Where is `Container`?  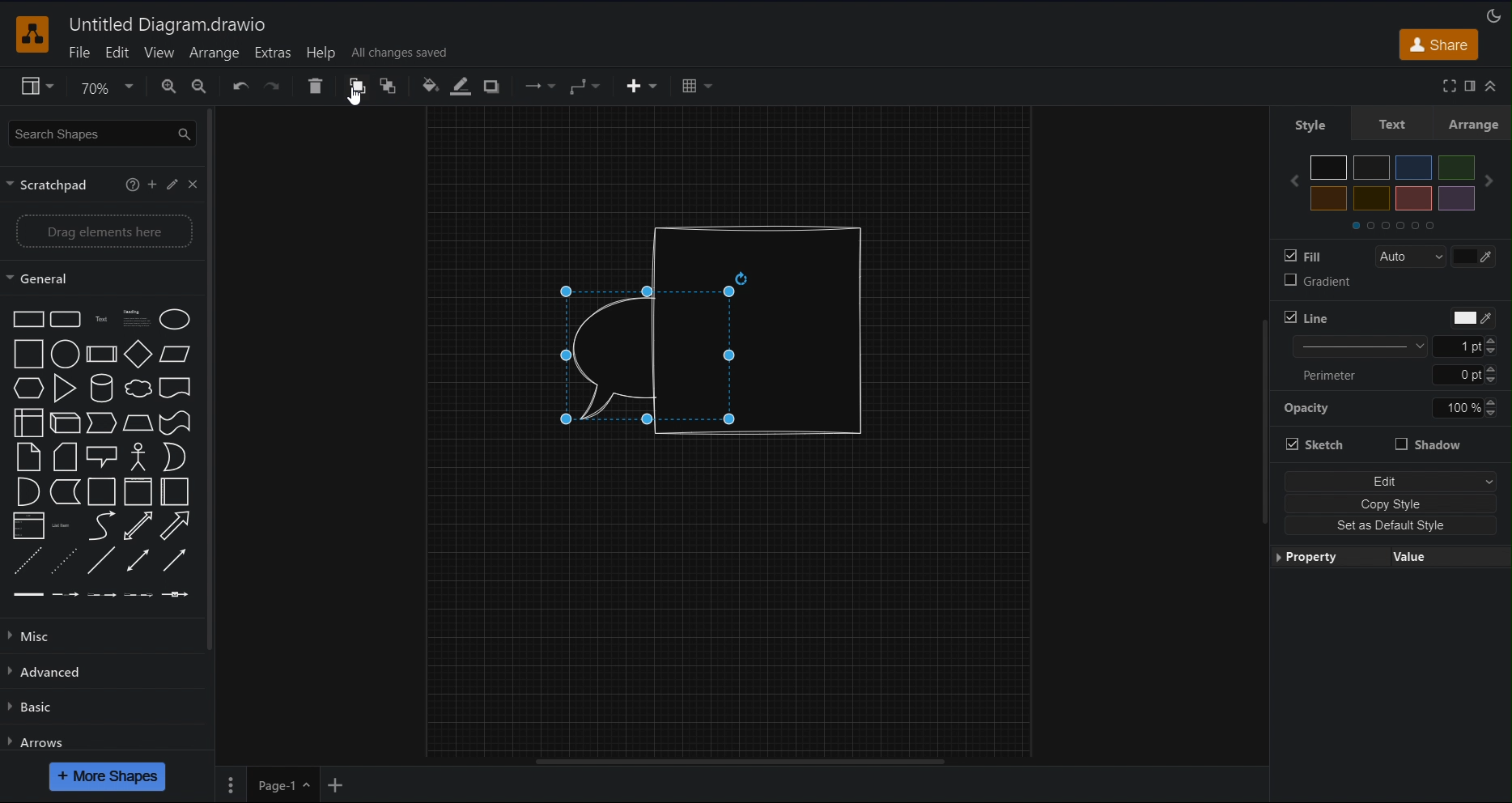 Container is located at coordinates (102, 491).